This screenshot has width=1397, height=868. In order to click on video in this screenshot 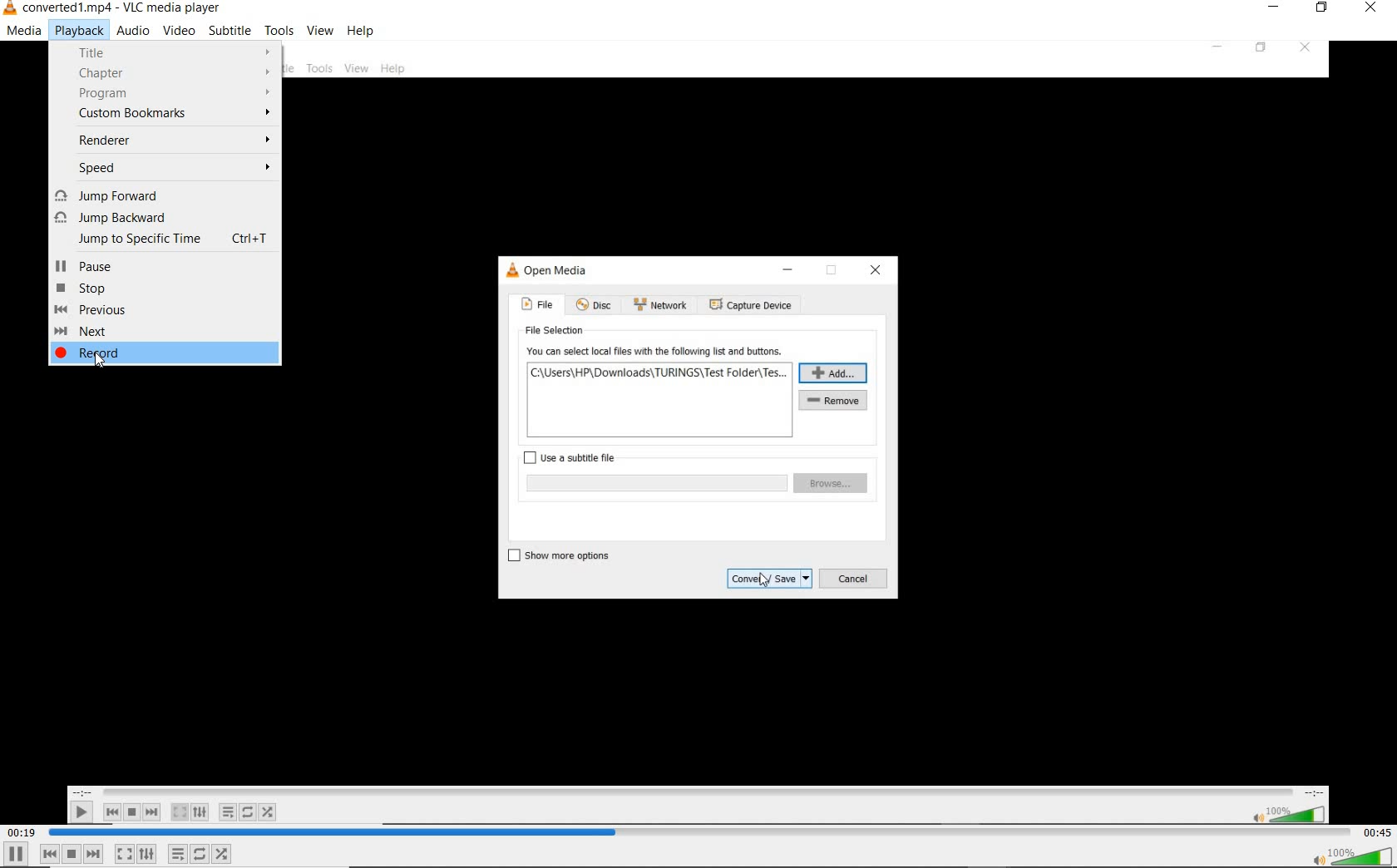, I will do `click(178, 31)`.